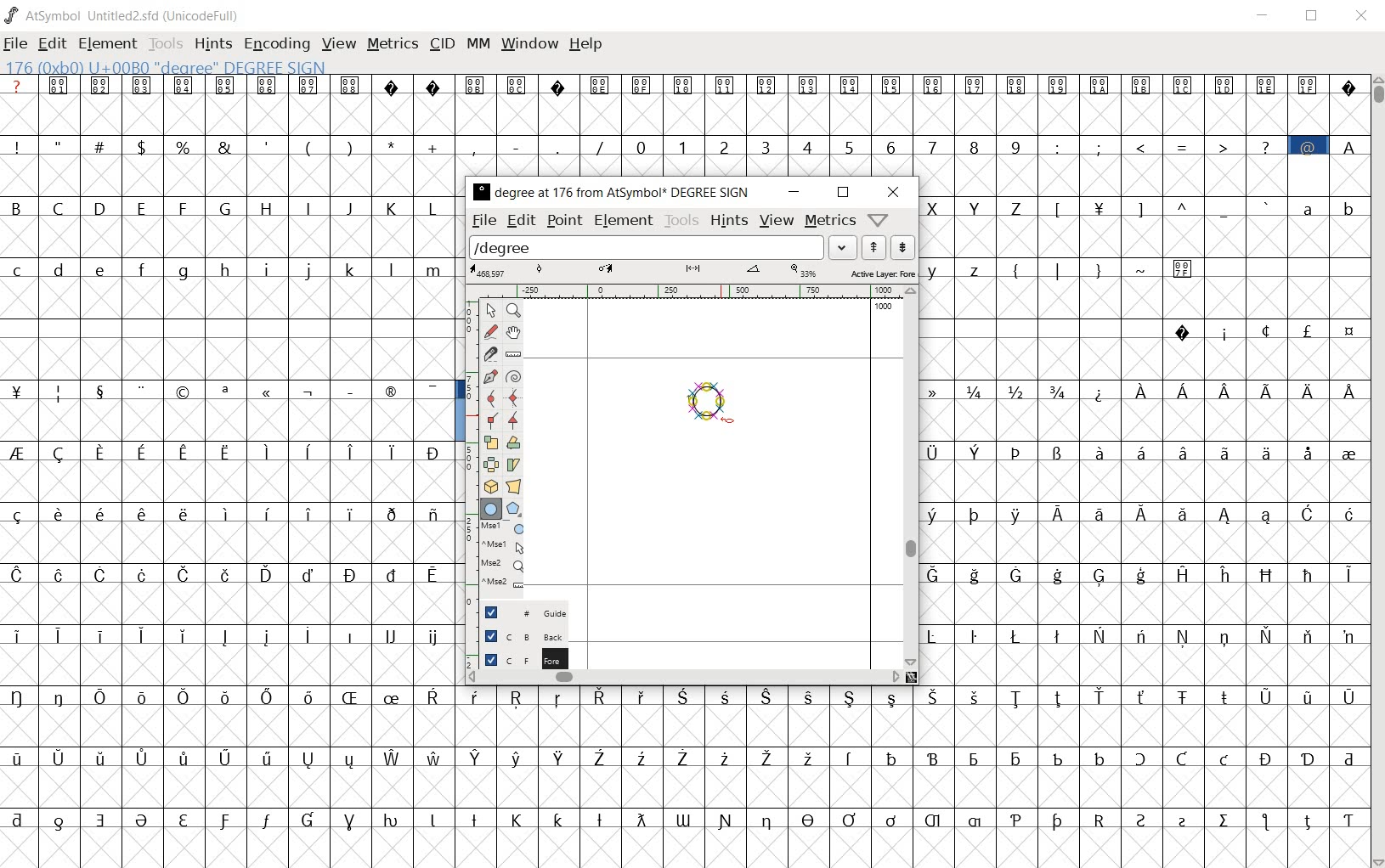 Image resolution: width=1385 pixels, height=868 pixels. I want to click on unsupported charters, so click(414, 84).